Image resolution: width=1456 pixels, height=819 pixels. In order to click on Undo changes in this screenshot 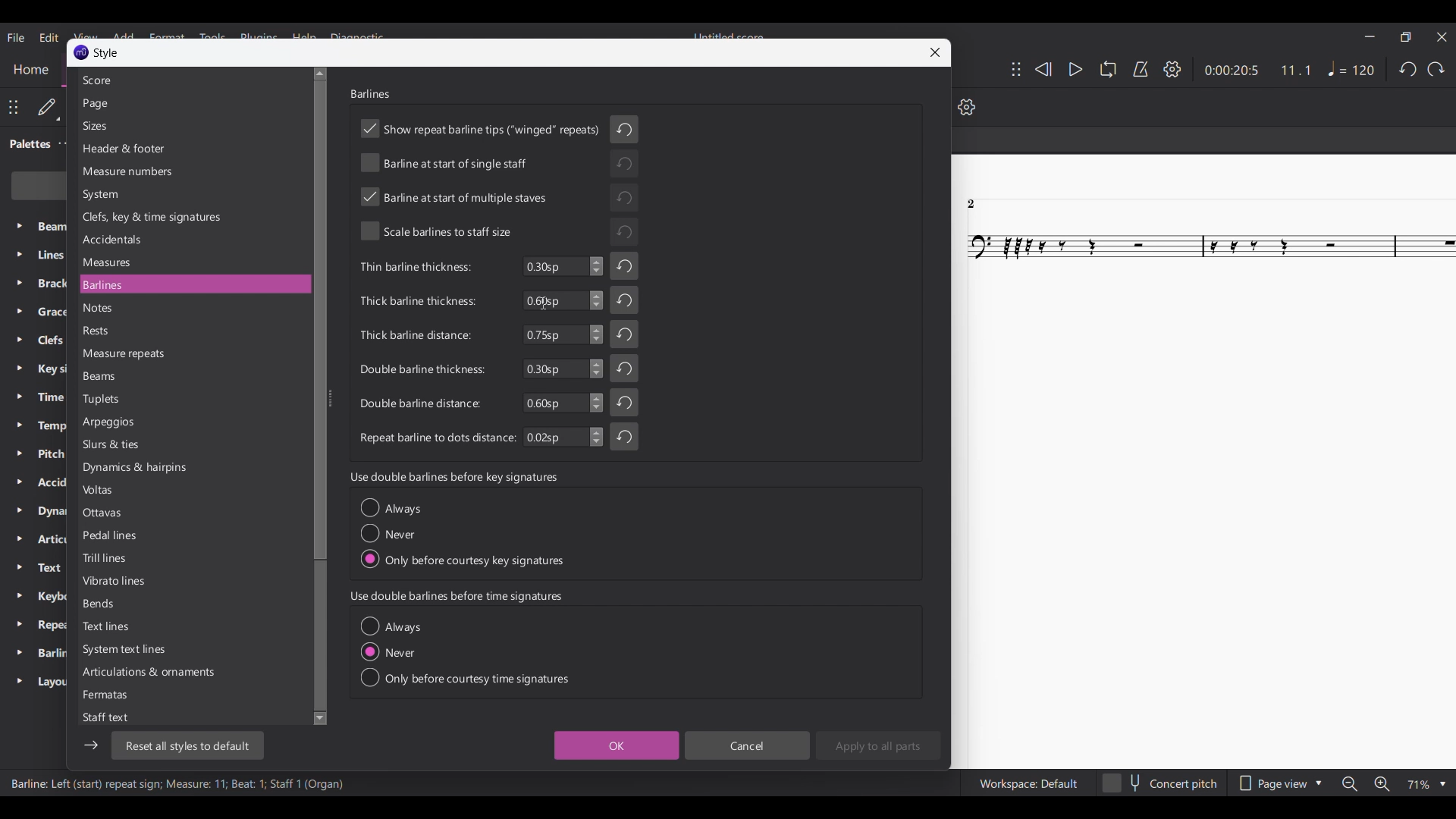, I will do `click(624, 282)`.